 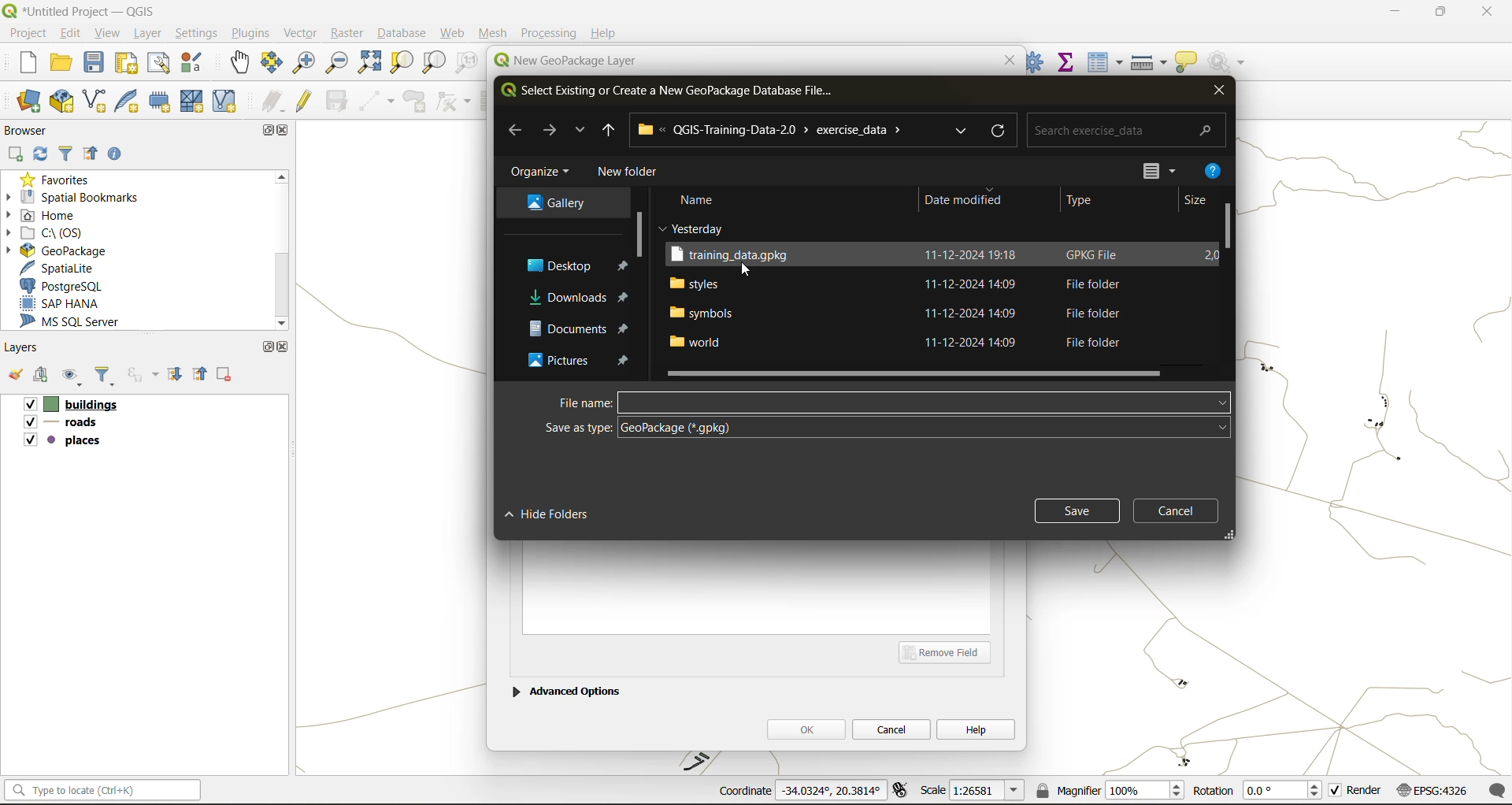 I want to click on 11-12-2024 14:09, so click(x=976, y=312).